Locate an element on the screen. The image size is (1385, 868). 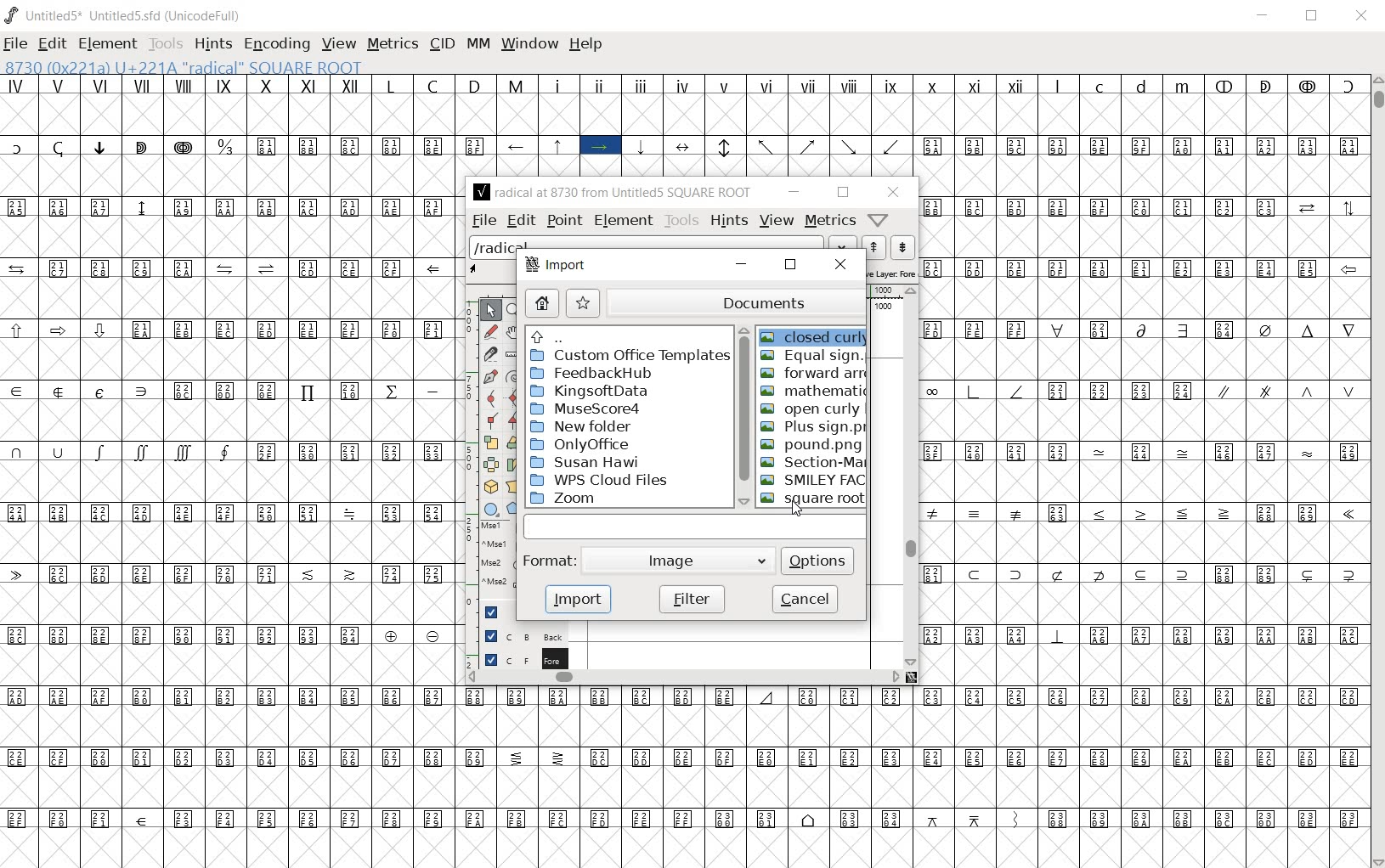
add a curve point always either horizontal or vertical is located at coordinates (511, 397).